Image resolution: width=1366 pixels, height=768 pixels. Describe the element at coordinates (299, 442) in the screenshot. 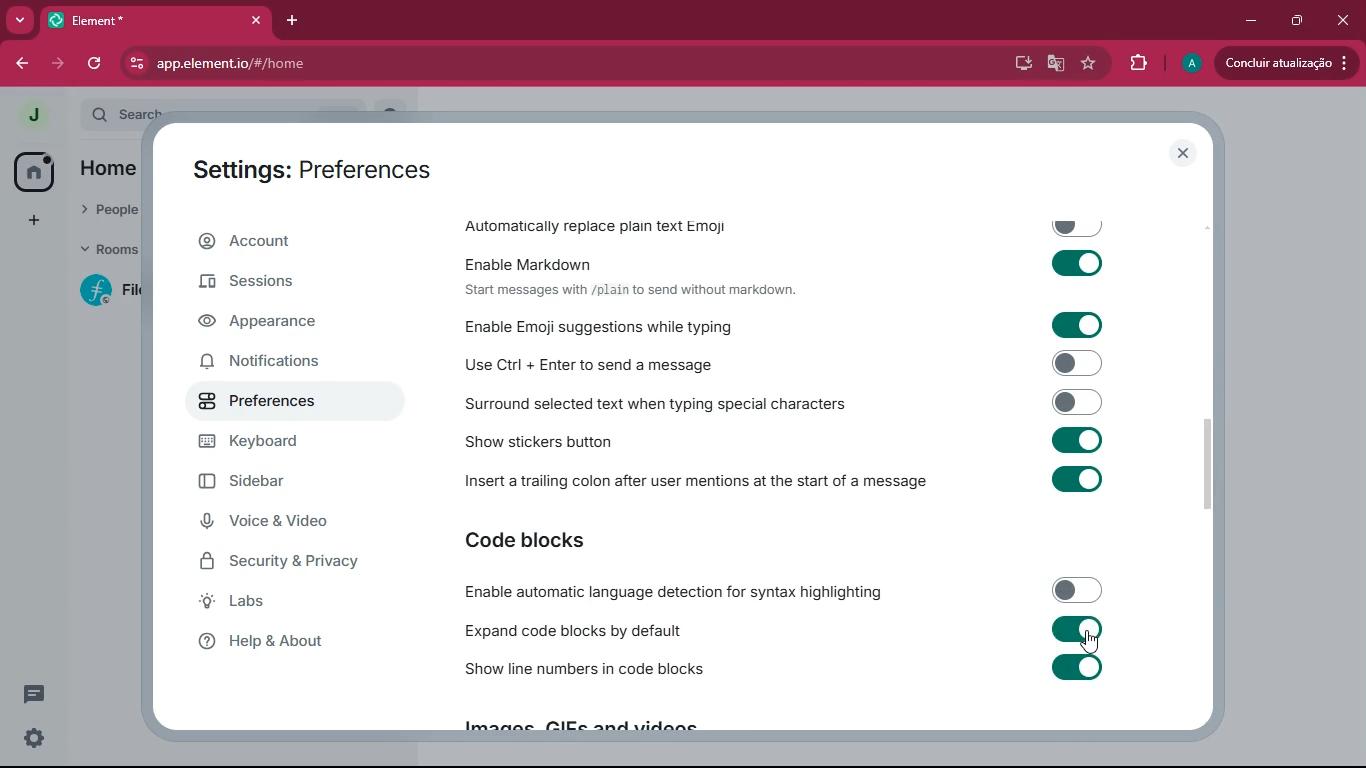

I see `keyboard` at that location.